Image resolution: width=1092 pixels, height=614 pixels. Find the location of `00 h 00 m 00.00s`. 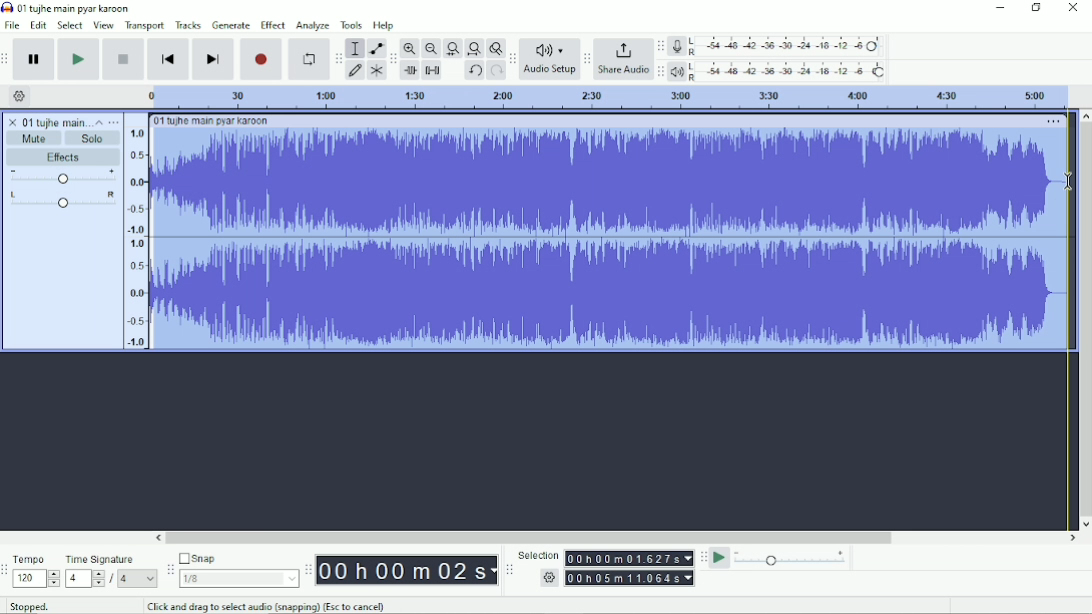

00 h 00 m 00.00s is located at coordinates (407, 571).